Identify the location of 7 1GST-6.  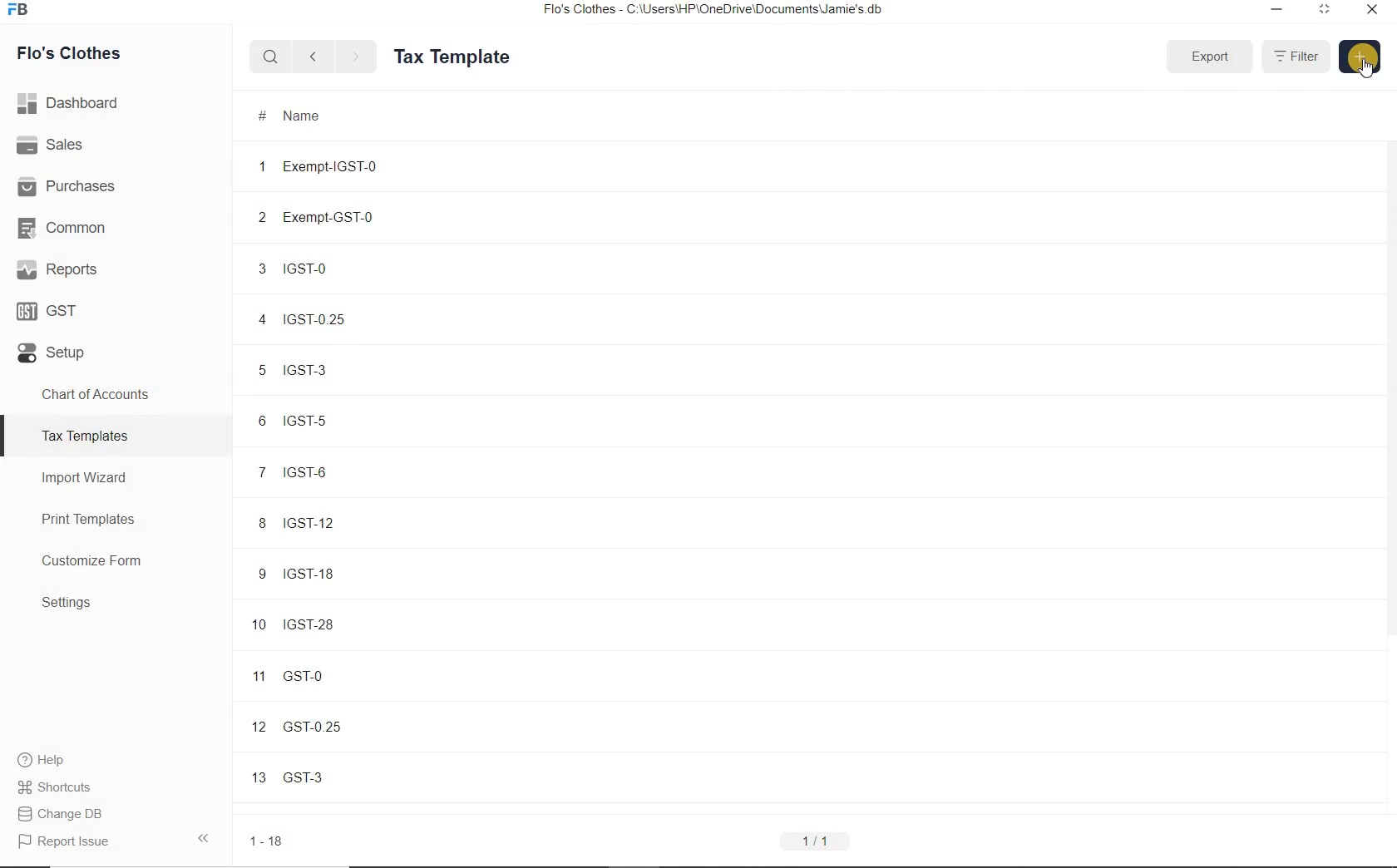
(345, 472).